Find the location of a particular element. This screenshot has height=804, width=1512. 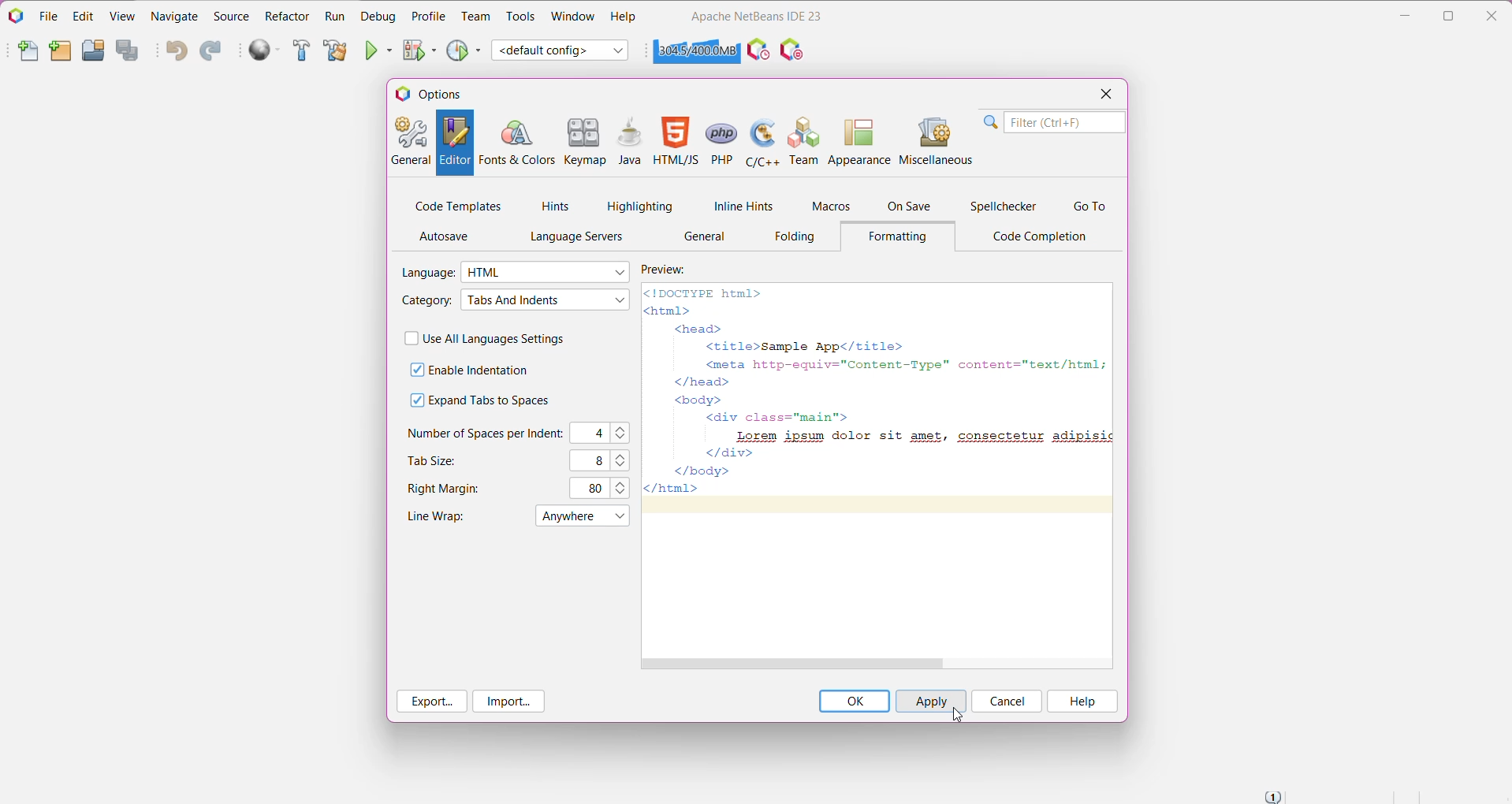

Tab Size is located at coordinates (434, 460).